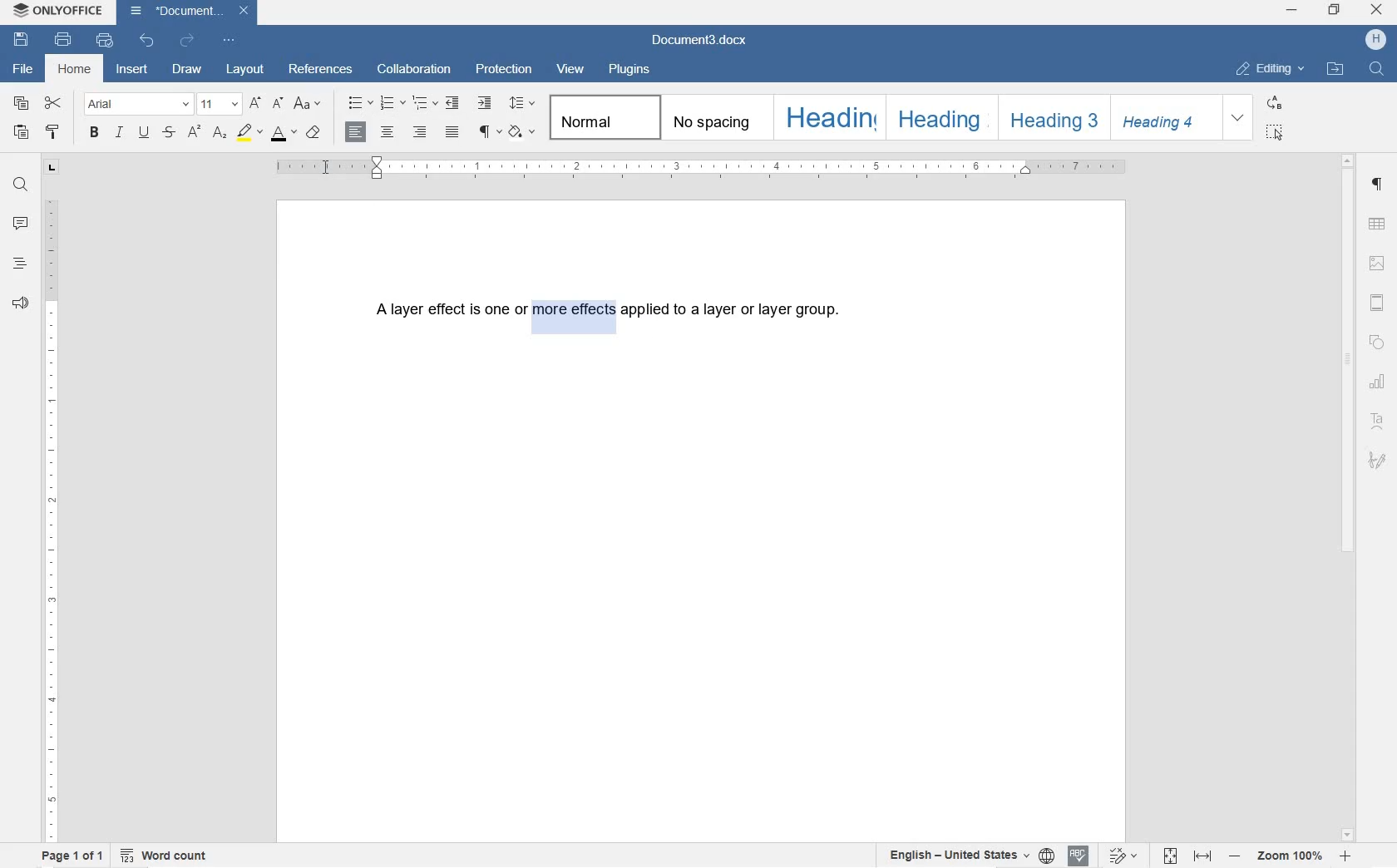 This screenshot has height=868, width=1397. I want to click on TRACK CHANGES, so click(1123, 855).